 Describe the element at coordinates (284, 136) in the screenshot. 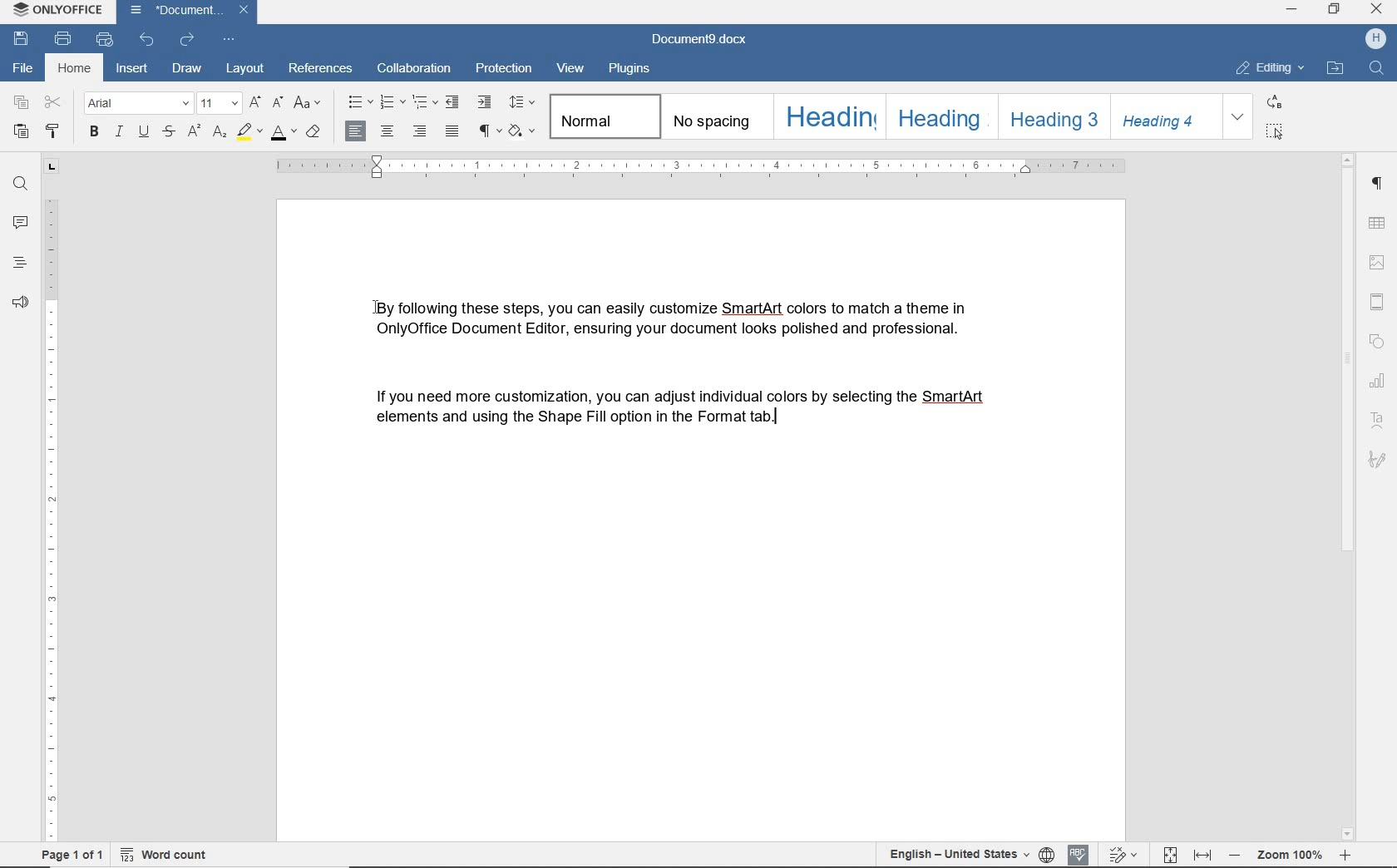

I see `font color` at that location.